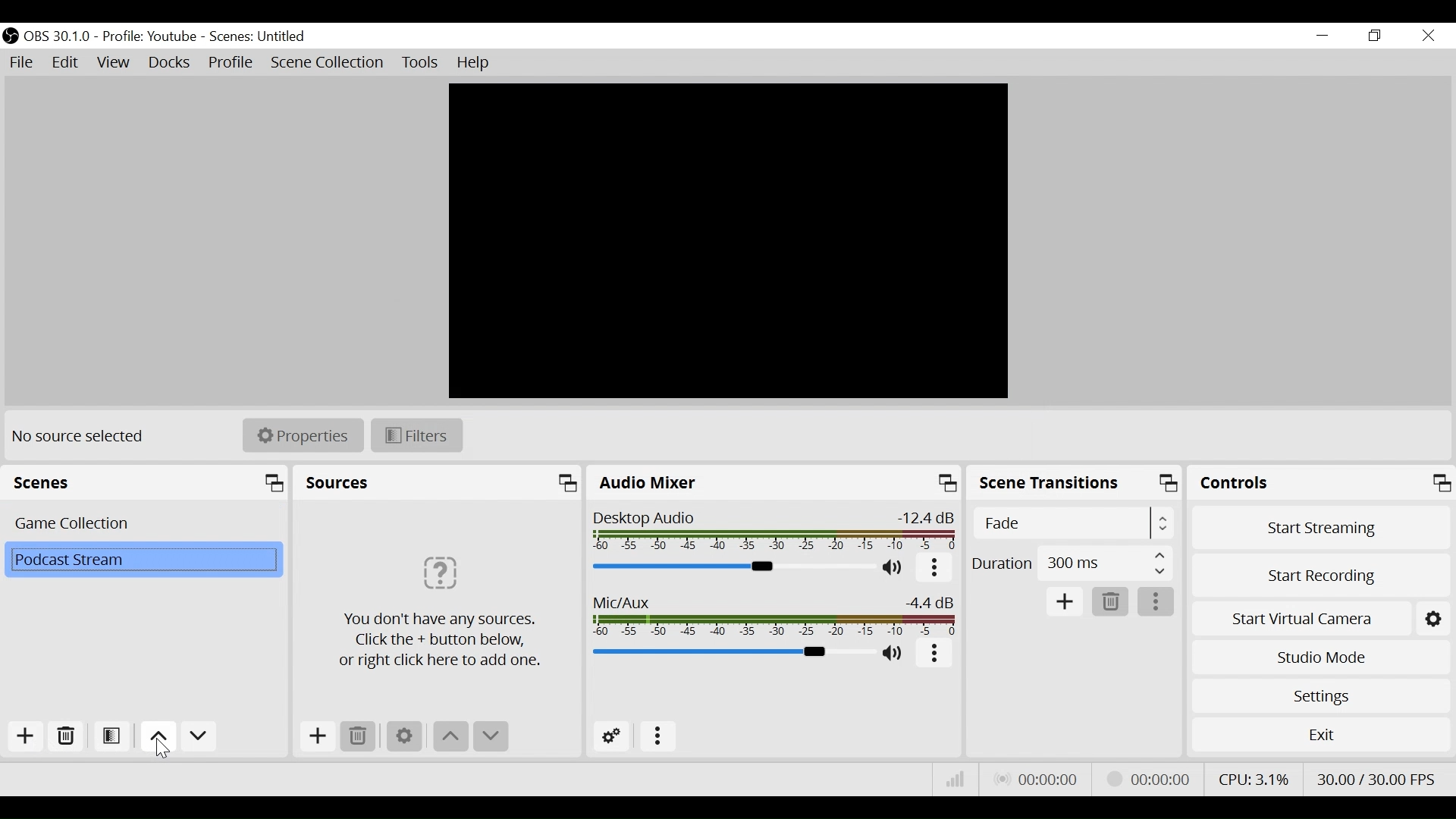 The image size is (1456, 819). What do you see at coordinates (730, 653) in the screenshot?
I see `Mic/Aux` at bounding box center [730, 653].